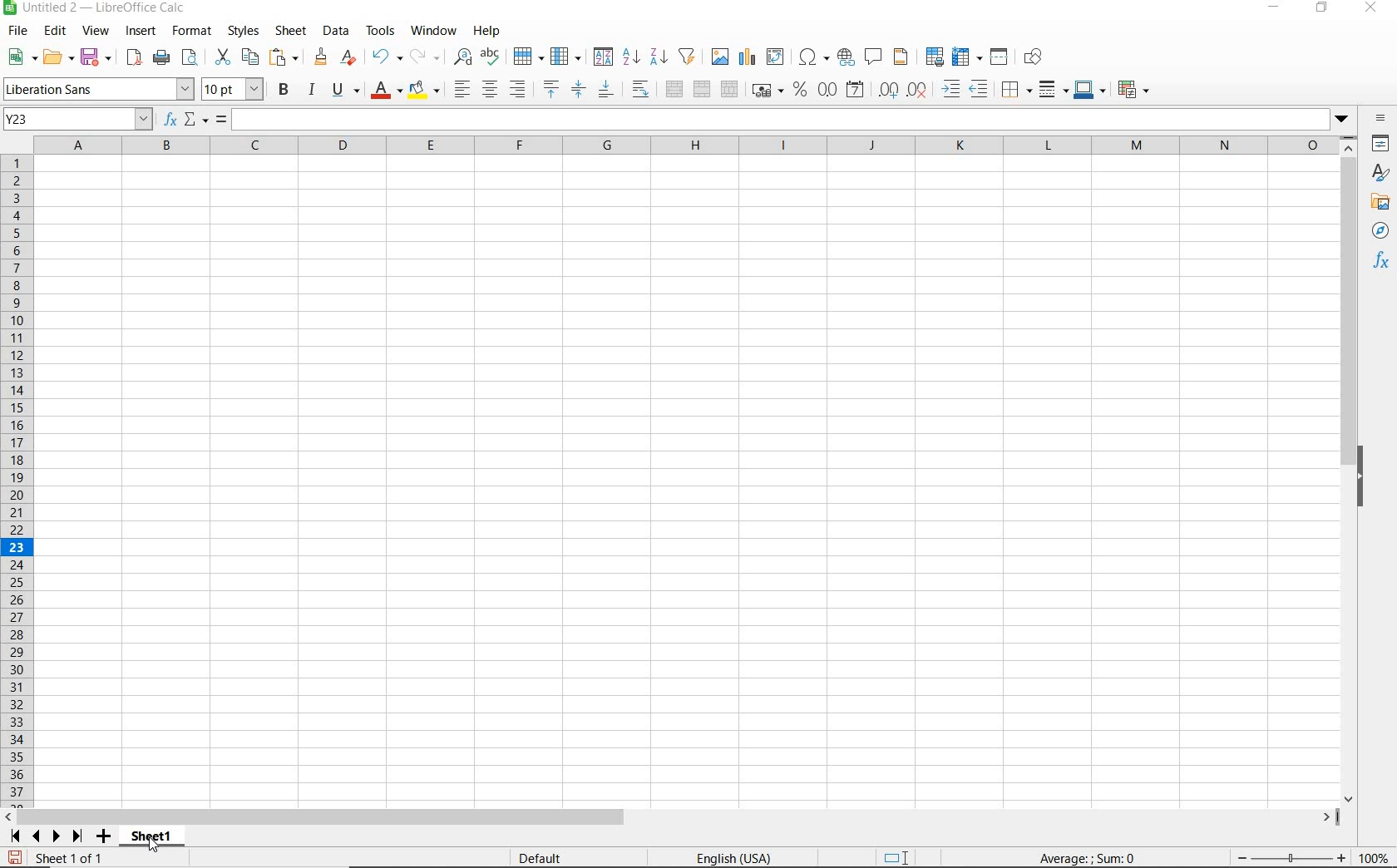 The height and width of the screenshot is (868, 1397). Describe the element at coordinates (800, 91) in the screenshot. I see `FORMAT AS PERCENT` at that location.